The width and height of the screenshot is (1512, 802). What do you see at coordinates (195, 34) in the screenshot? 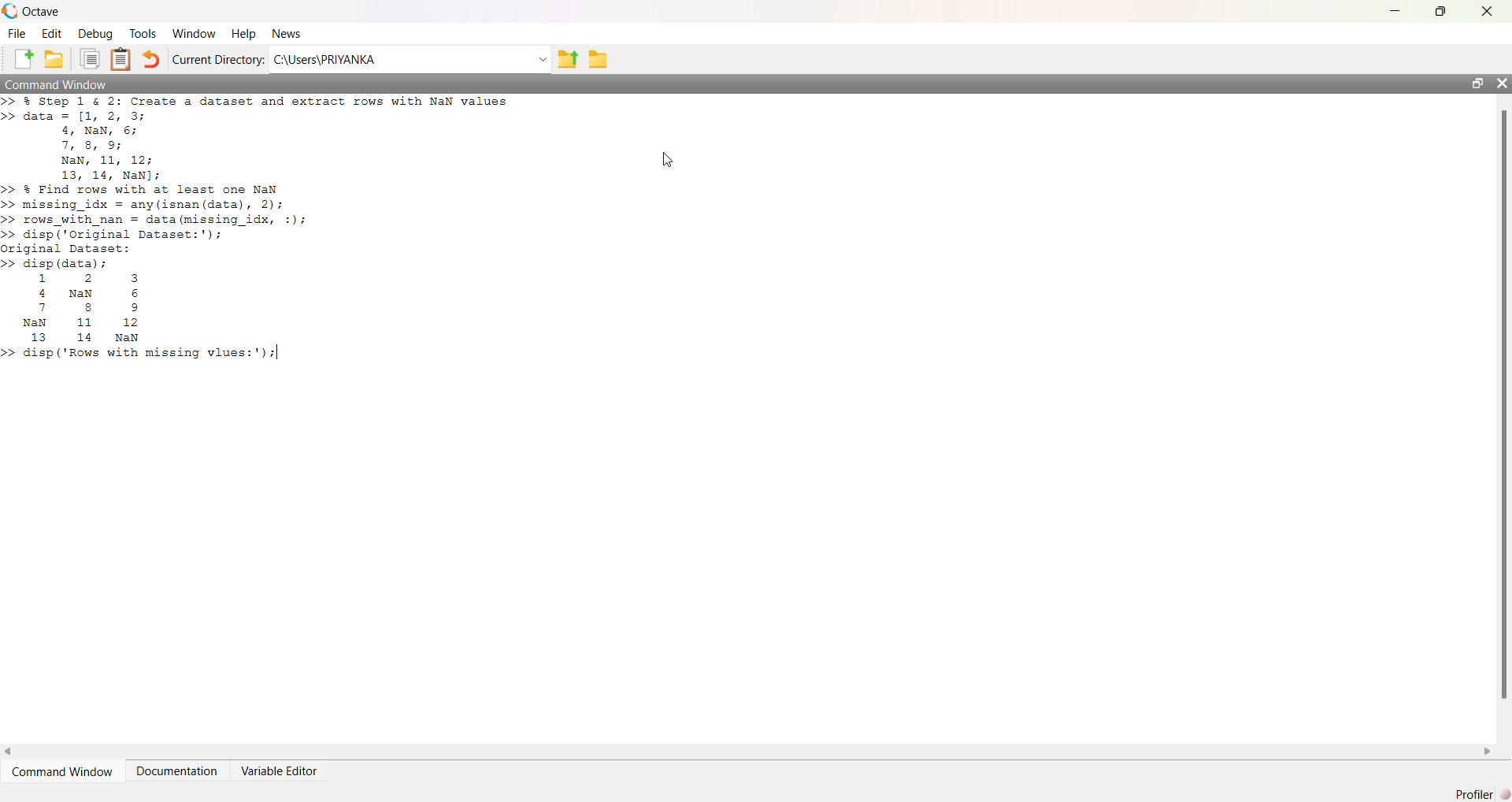
I see `Window` at bounding box center [195, 34].